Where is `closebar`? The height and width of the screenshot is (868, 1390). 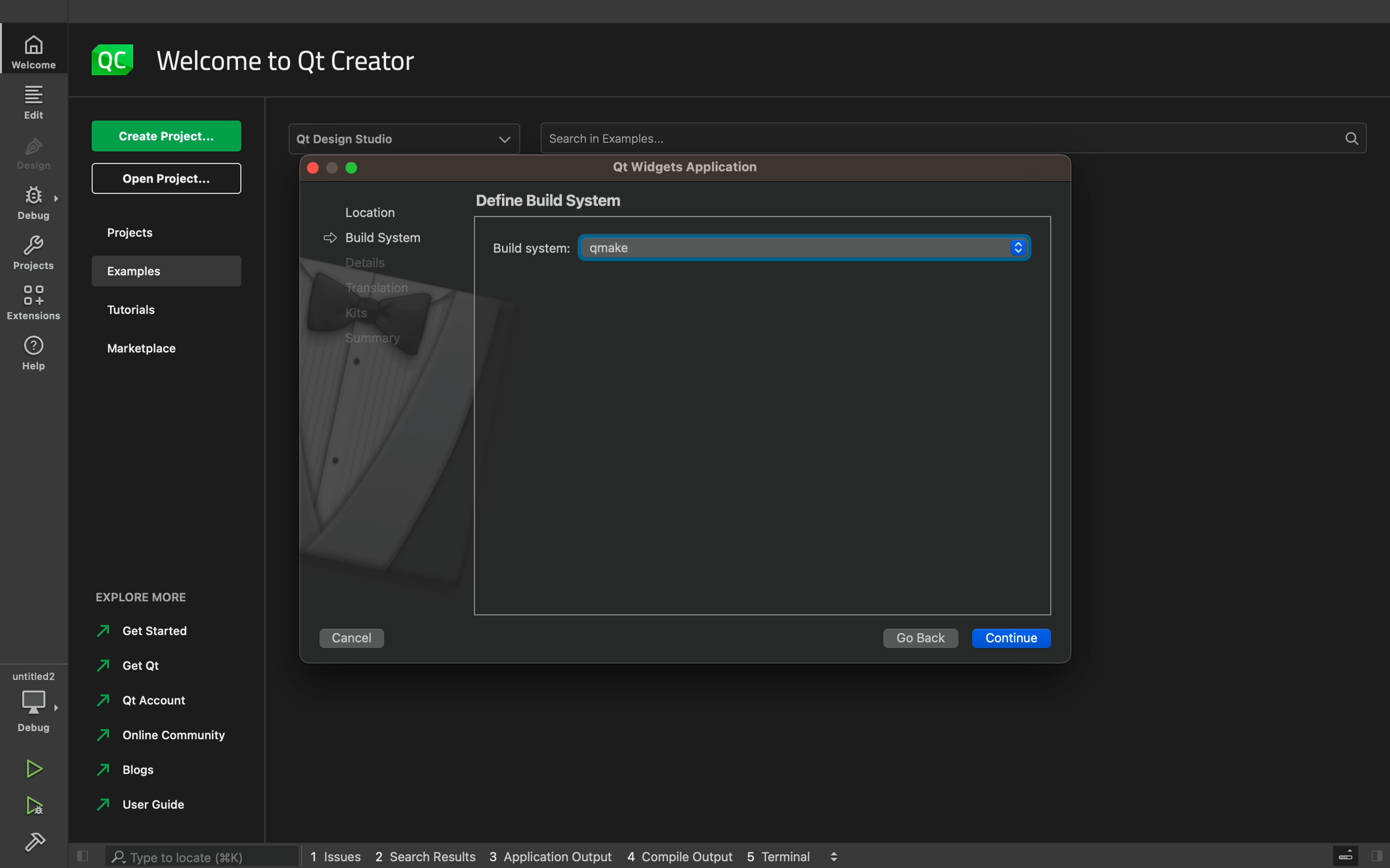 closebar is located at coordinates (1360, 854).